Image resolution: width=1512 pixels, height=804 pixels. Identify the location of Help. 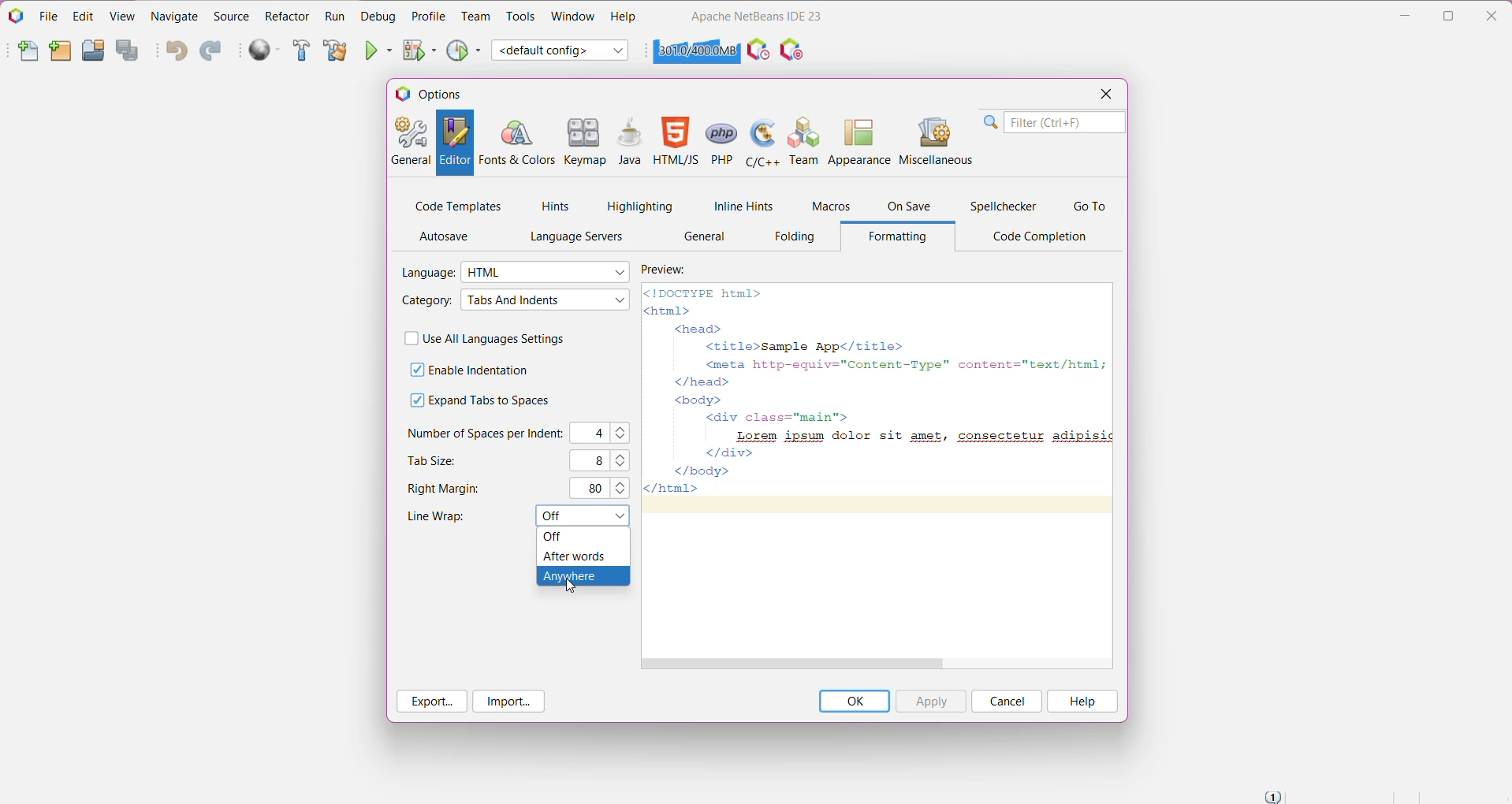
(1082, 702).